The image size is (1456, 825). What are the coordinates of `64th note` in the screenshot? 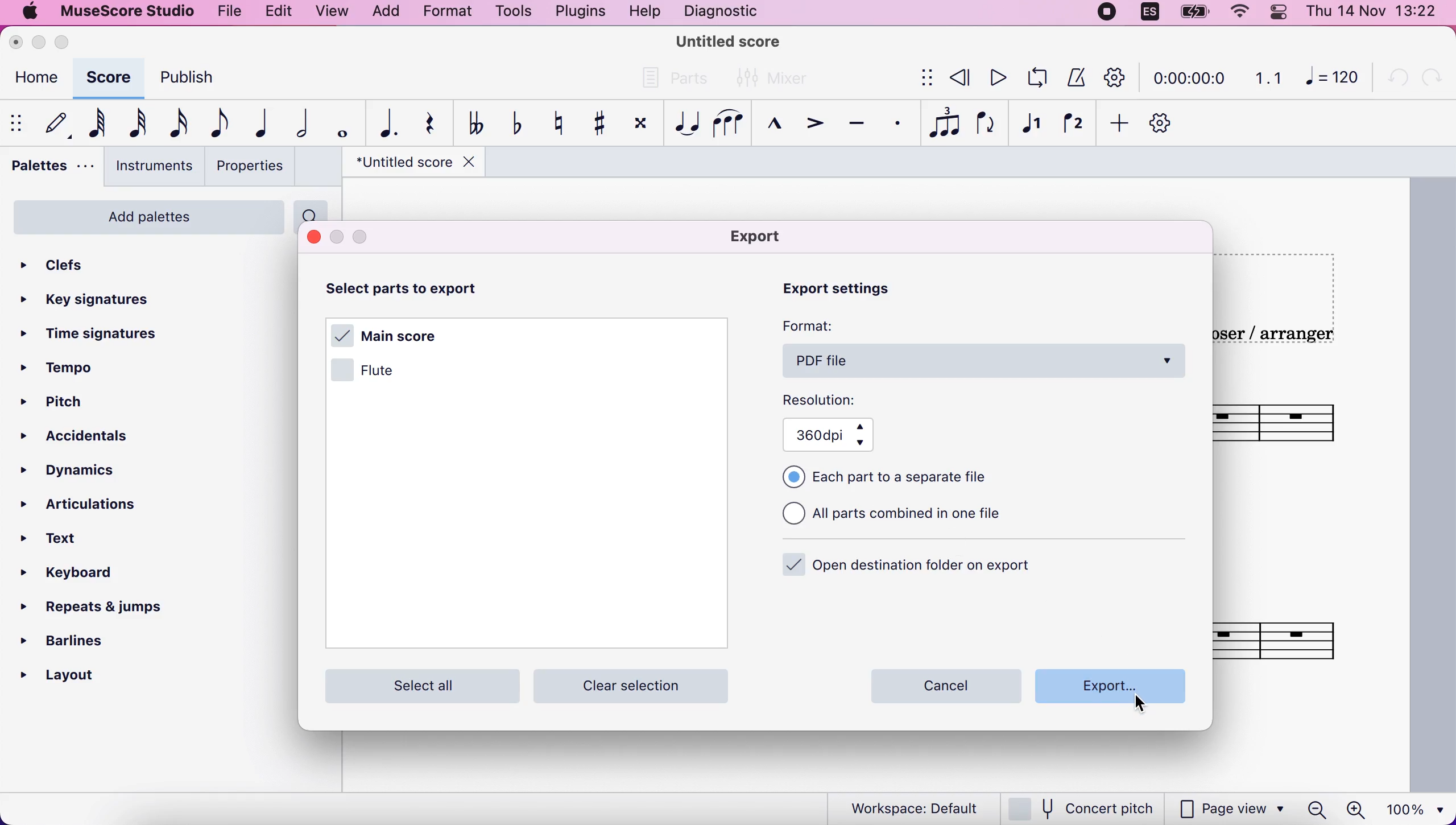 It's located at (94, 125).